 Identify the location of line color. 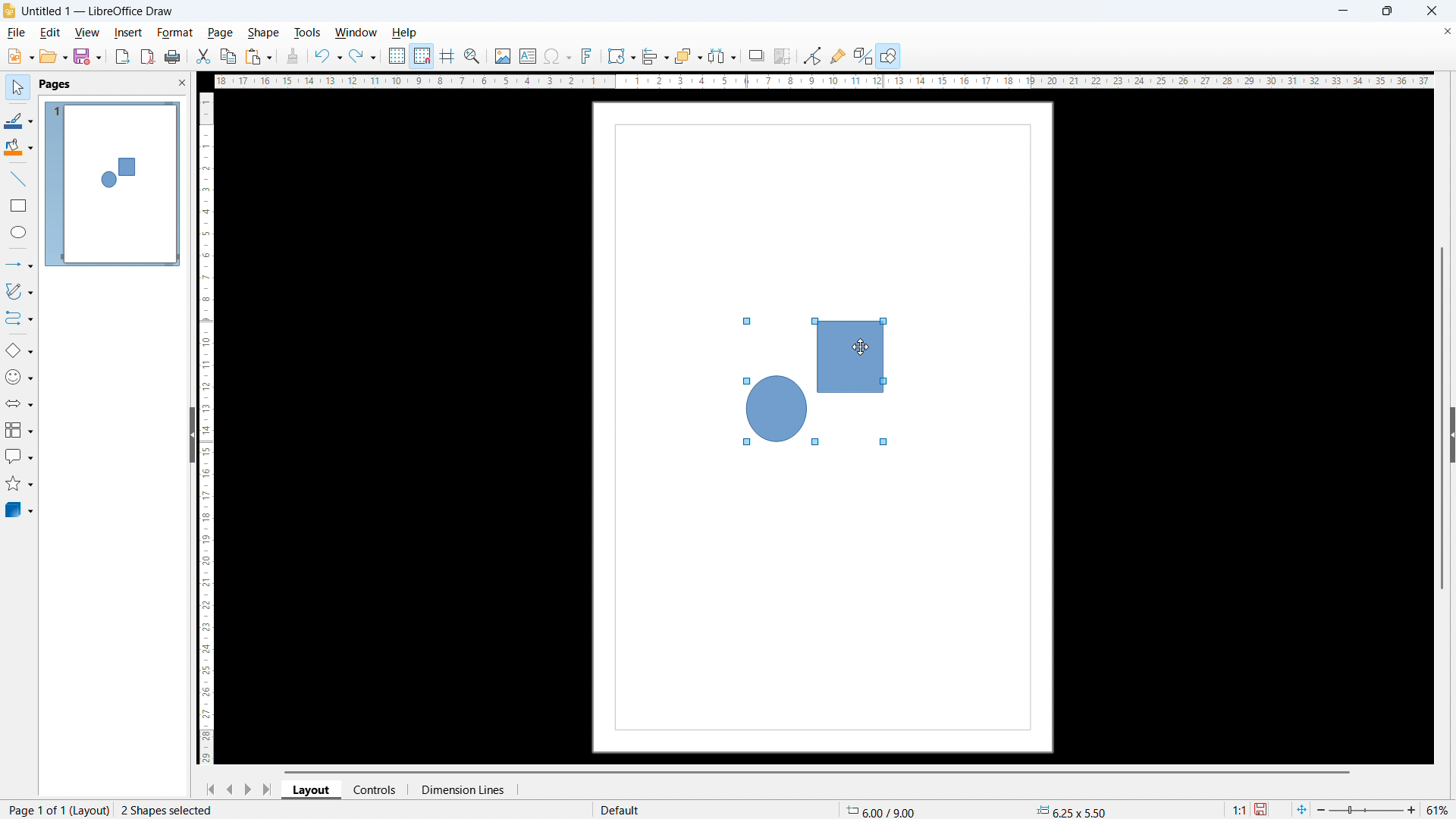
(20, 121).